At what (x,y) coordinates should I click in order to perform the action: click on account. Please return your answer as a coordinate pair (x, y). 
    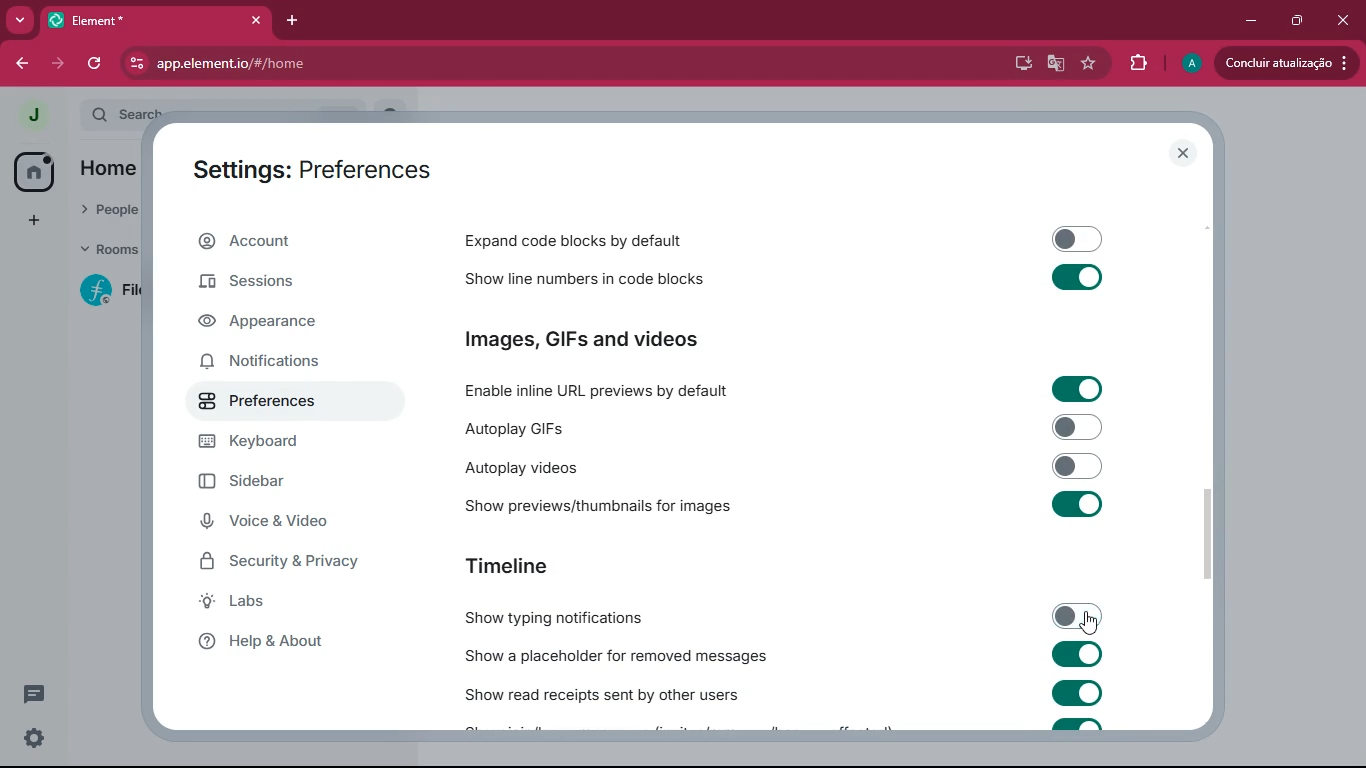
    Looking at the image, I should click on (300, 239).